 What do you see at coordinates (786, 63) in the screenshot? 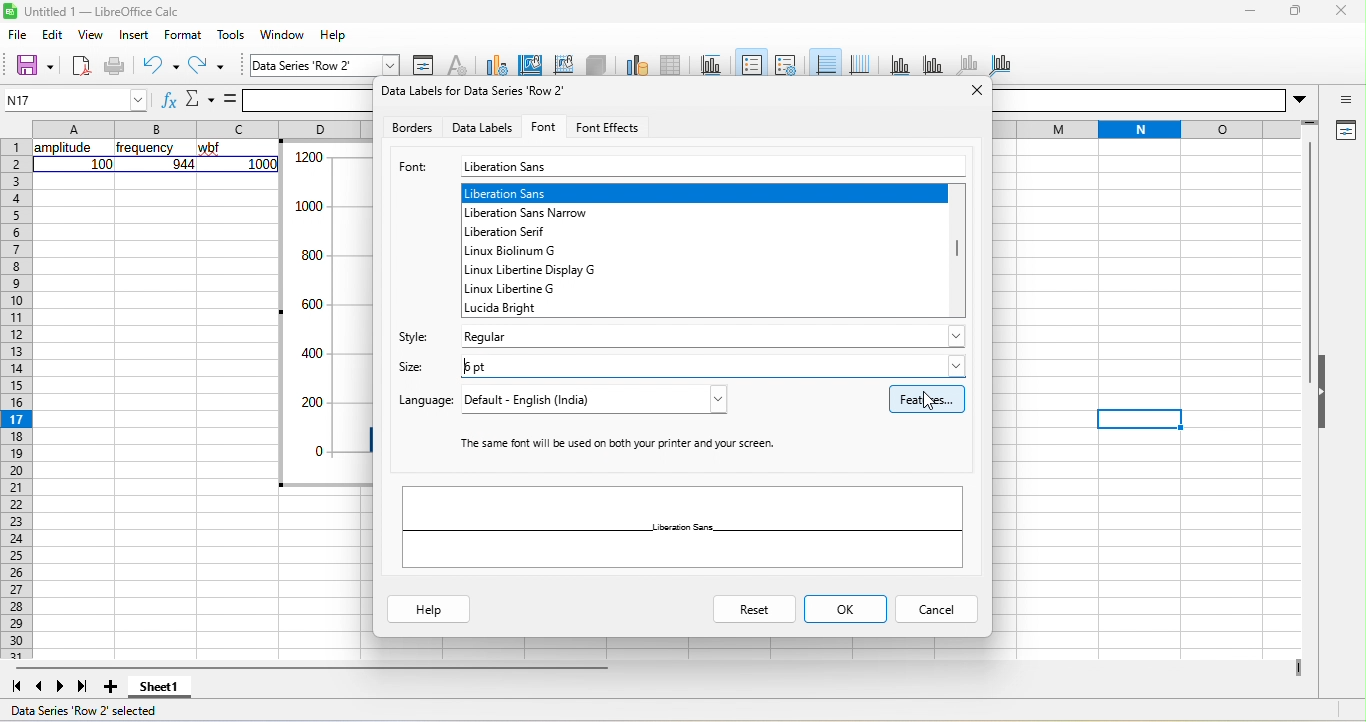
I see `legend ` at bounding box center [786, 63].